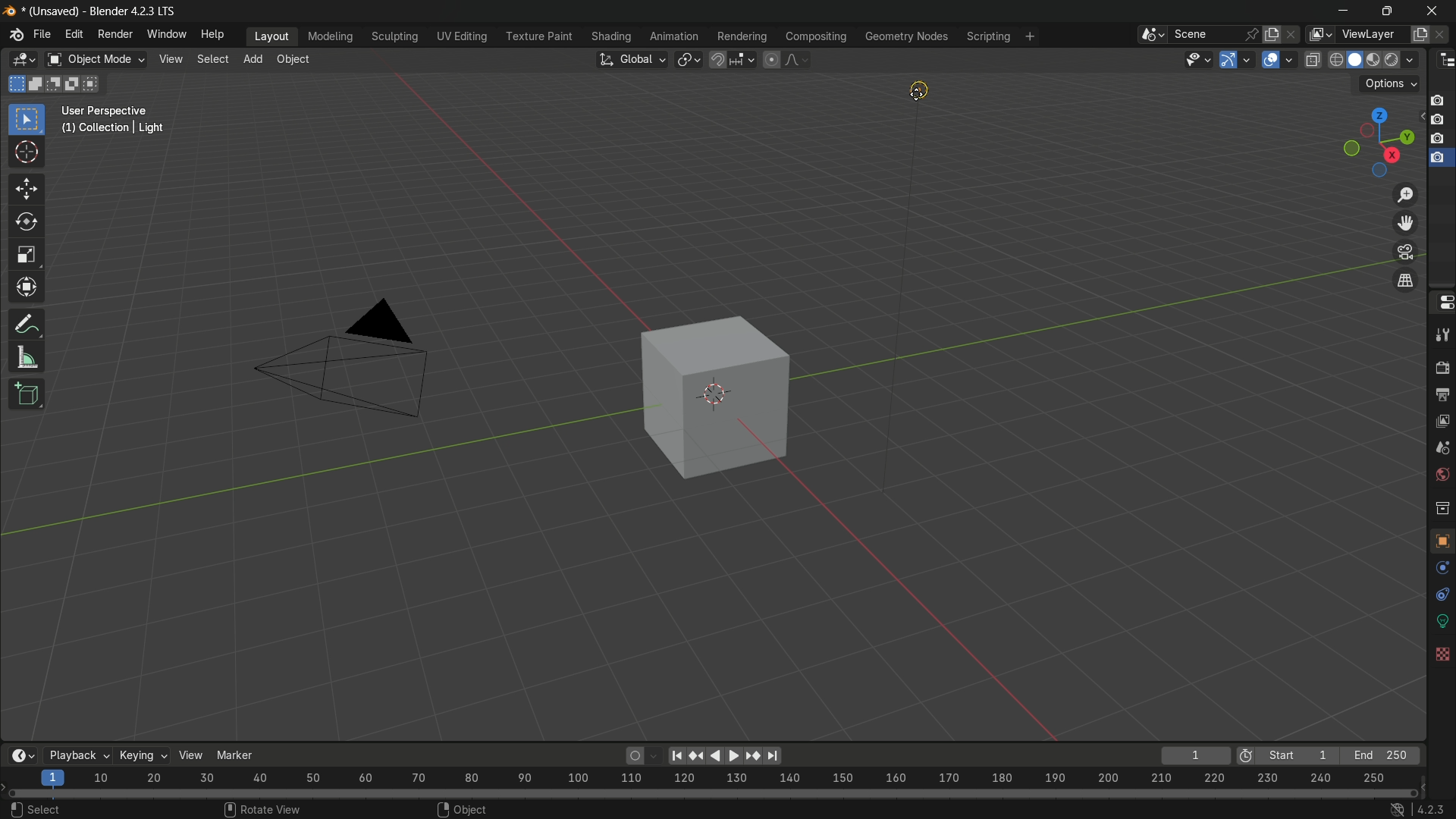 The image size is (1456, 819). Describe the element at coordinates (235, 755) in the screenshot. I see `marker` at that location.